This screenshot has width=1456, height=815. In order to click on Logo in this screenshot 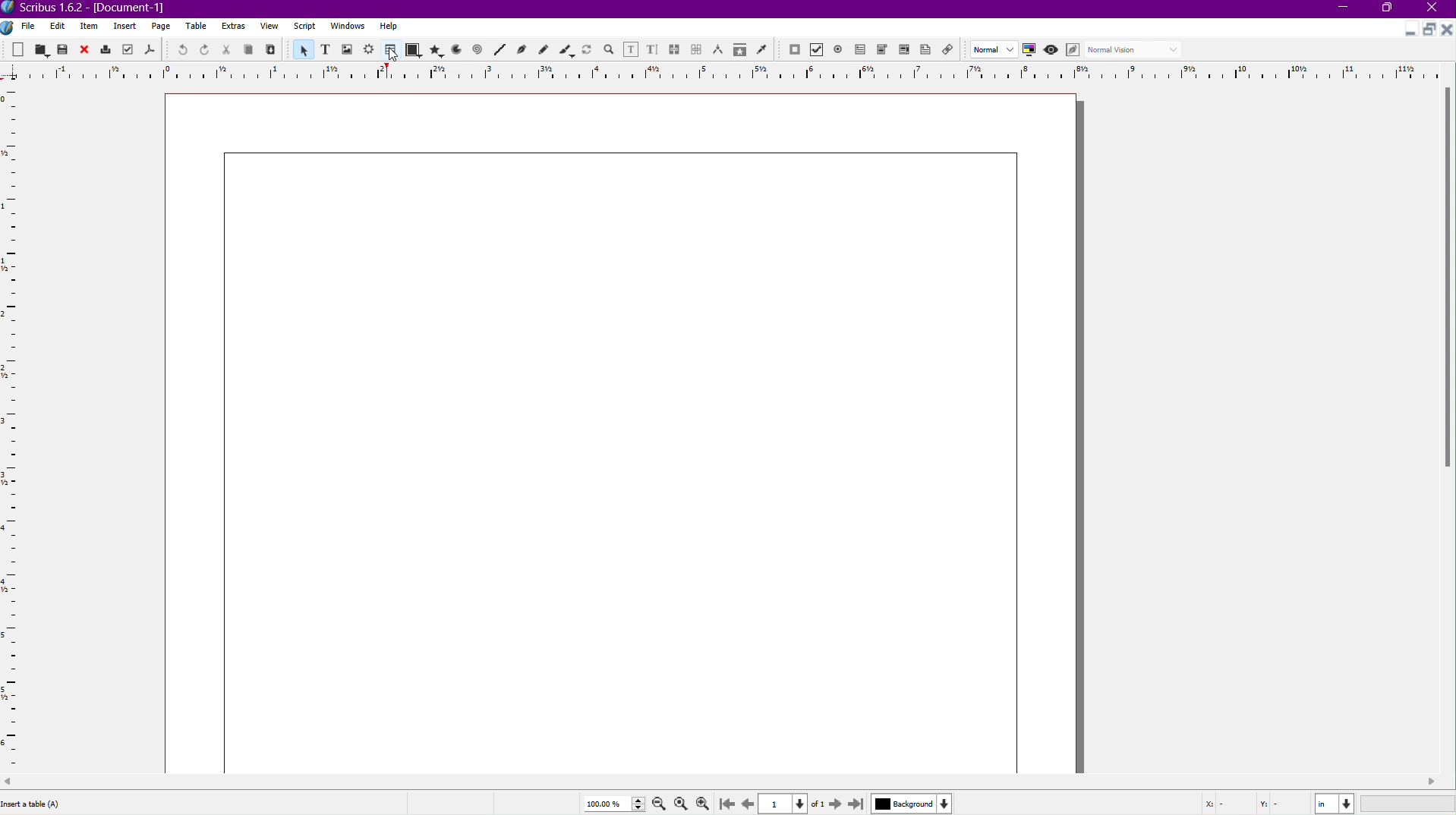, I will do `click(9, 27)`.